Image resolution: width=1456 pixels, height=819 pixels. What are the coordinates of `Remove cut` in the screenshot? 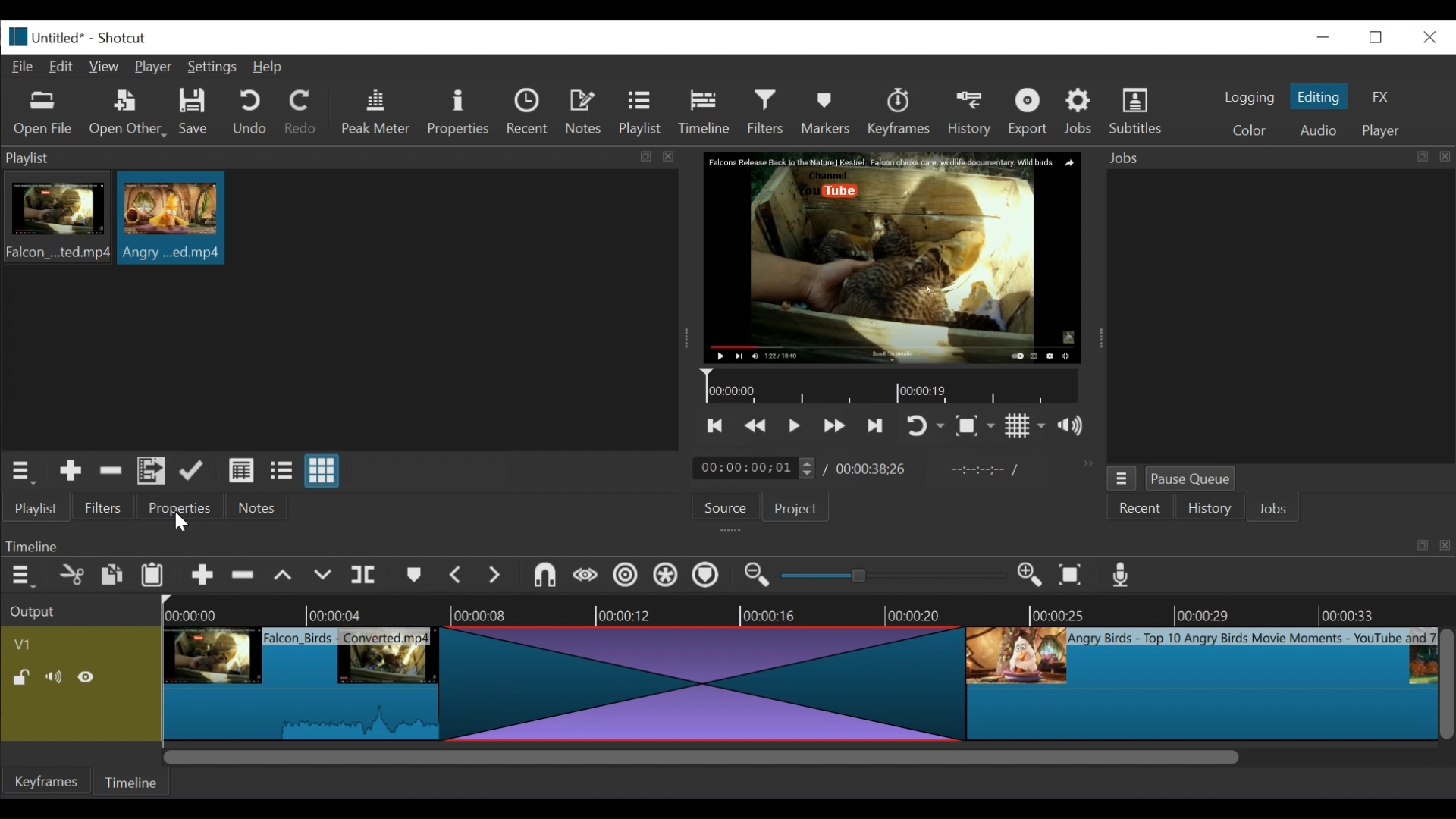 It's located at (245, 578).